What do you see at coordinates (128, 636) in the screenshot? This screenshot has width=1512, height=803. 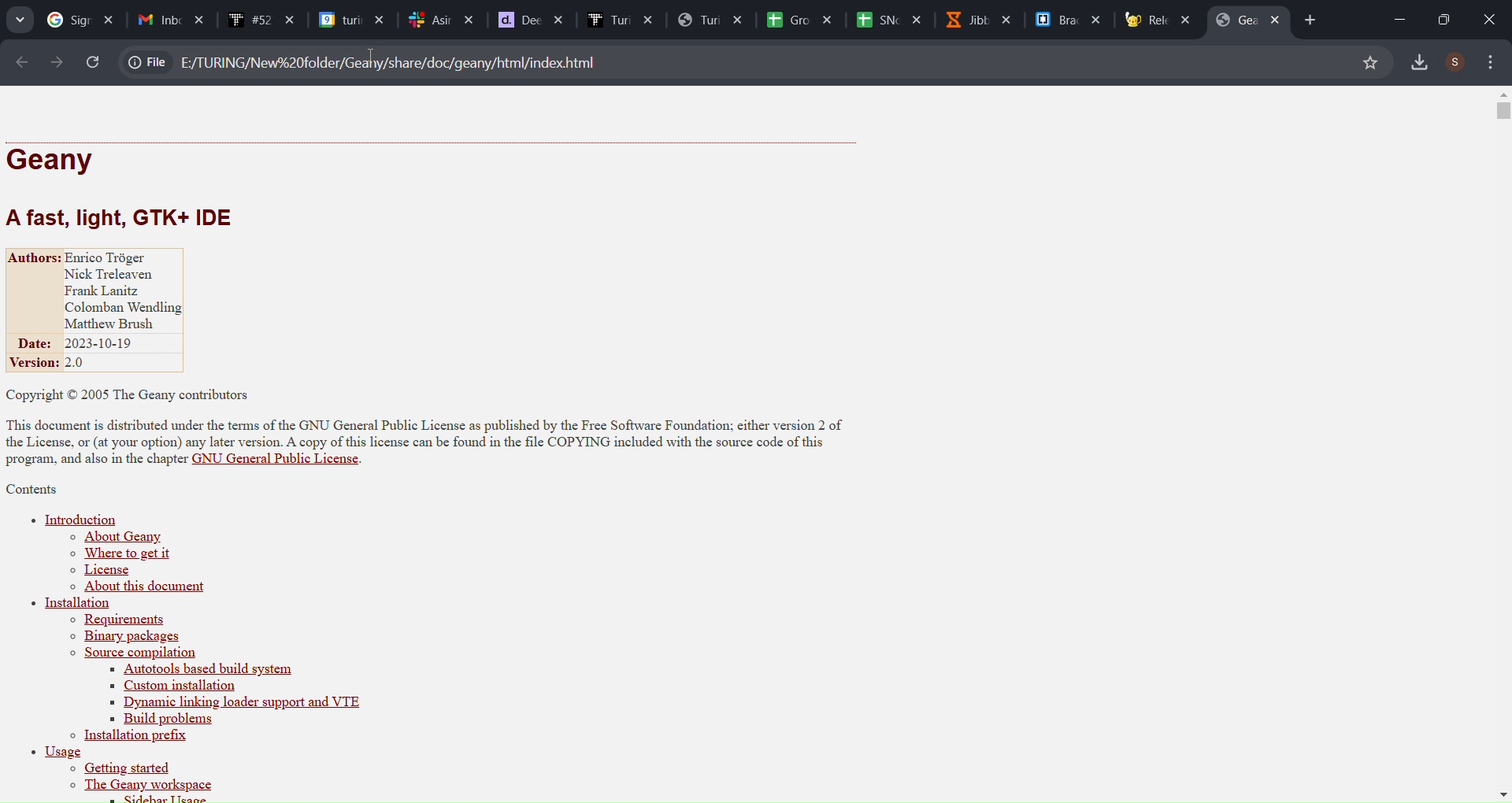 I see `binary packages` at bounding box center [128, 636].